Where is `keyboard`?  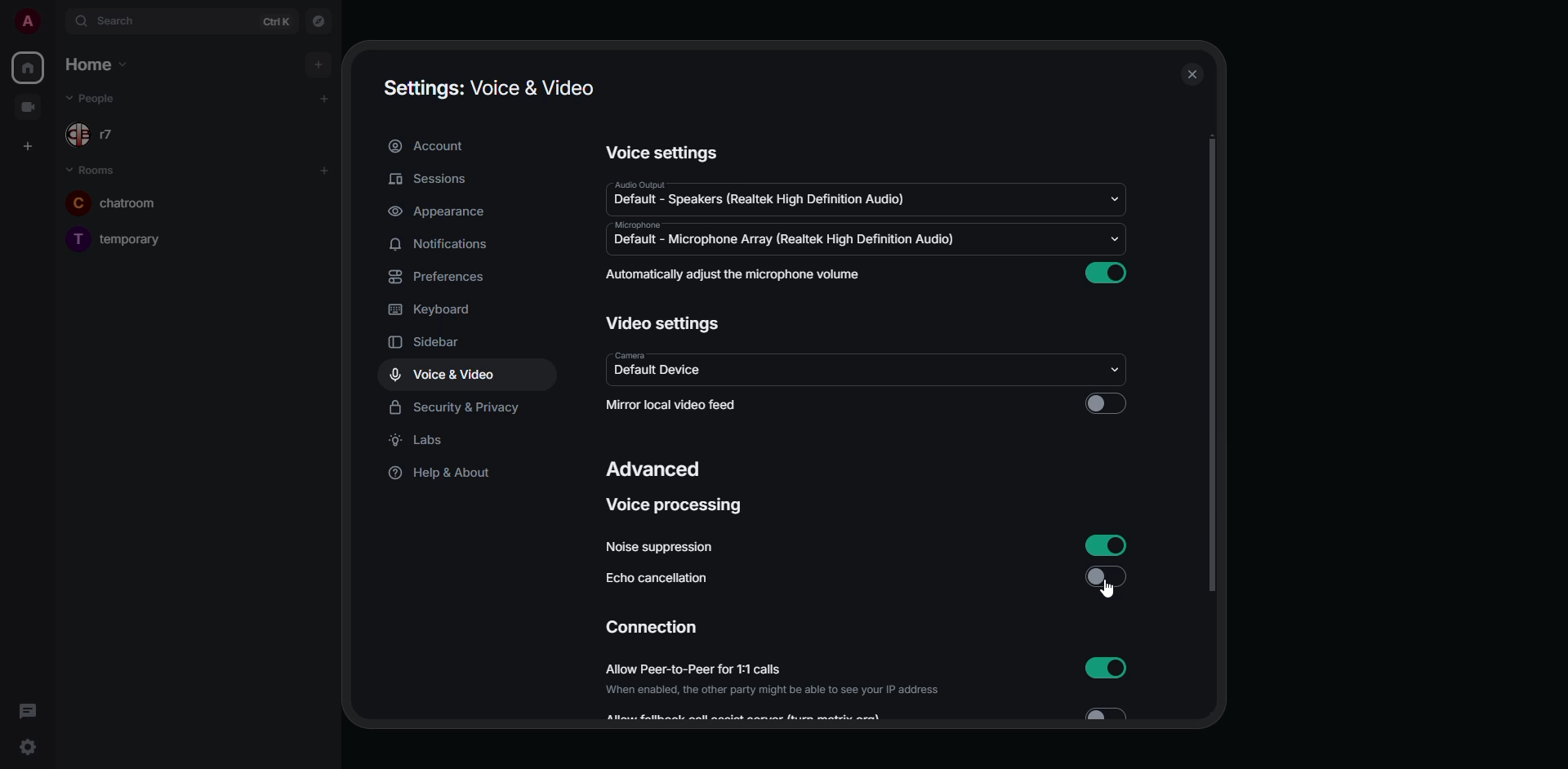 keyboard is located at coordinates (436, 309).